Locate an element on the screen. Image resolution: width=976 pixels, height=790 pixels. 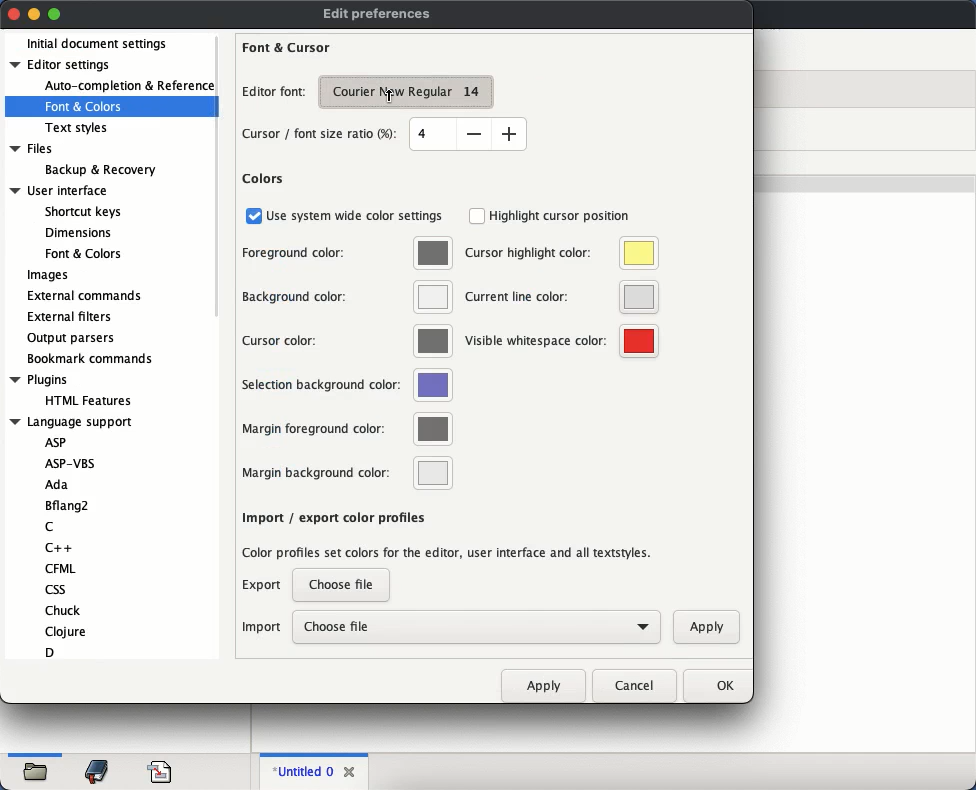
Cursor is located at coordinates (390, 96).